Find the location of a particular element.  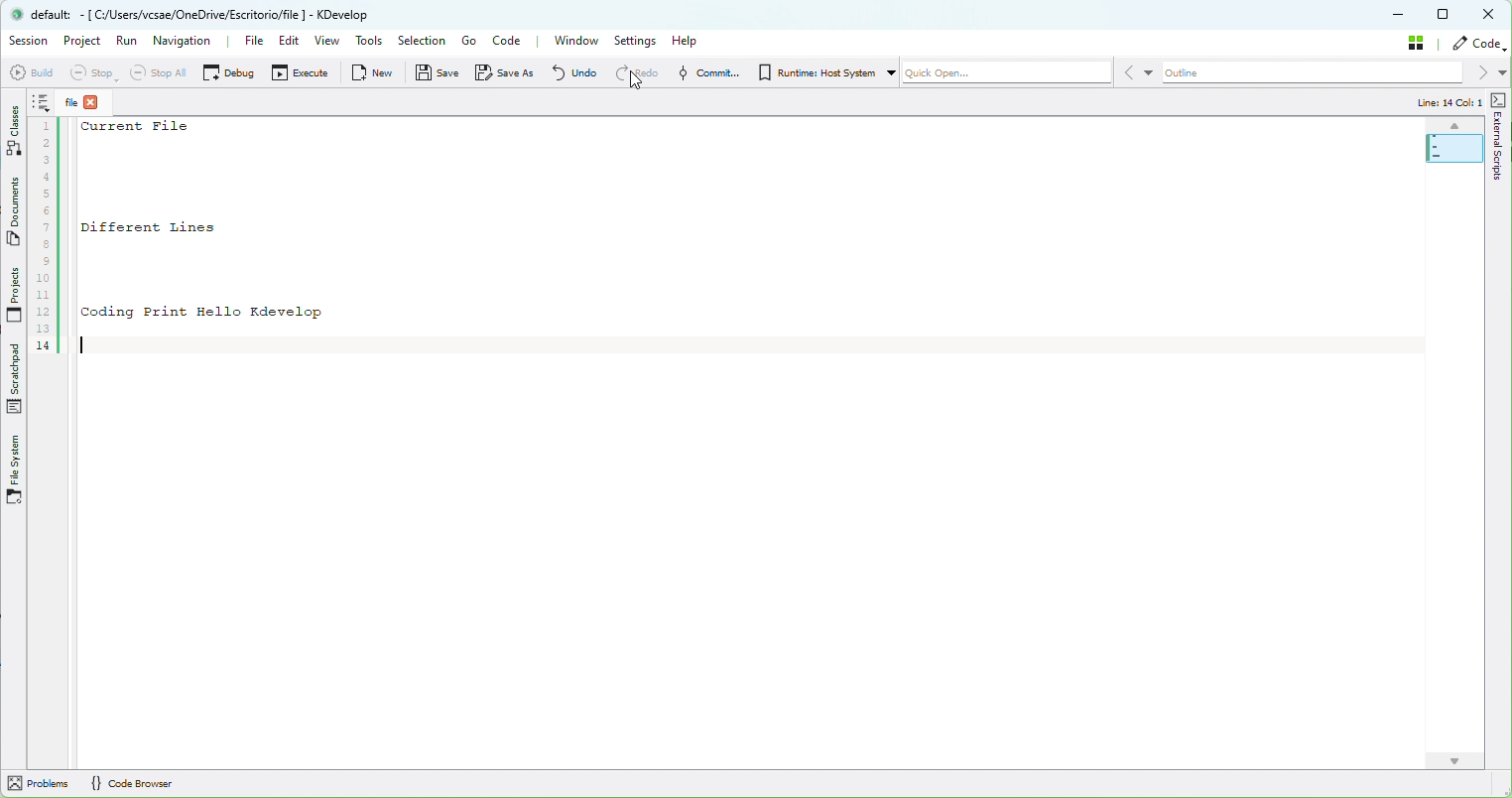

Stop is located at coordinates (103, 68).